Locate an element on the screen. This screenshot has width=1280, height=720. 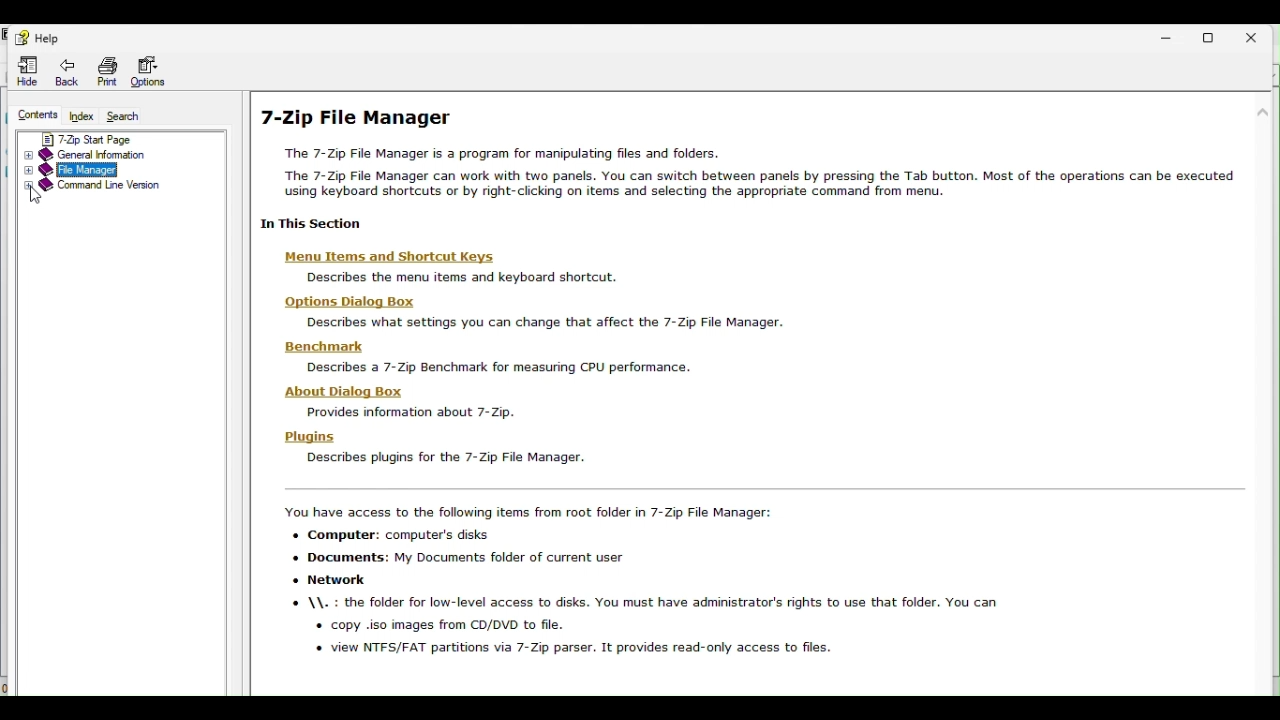
Plugins is located at coordinates (307, 436).